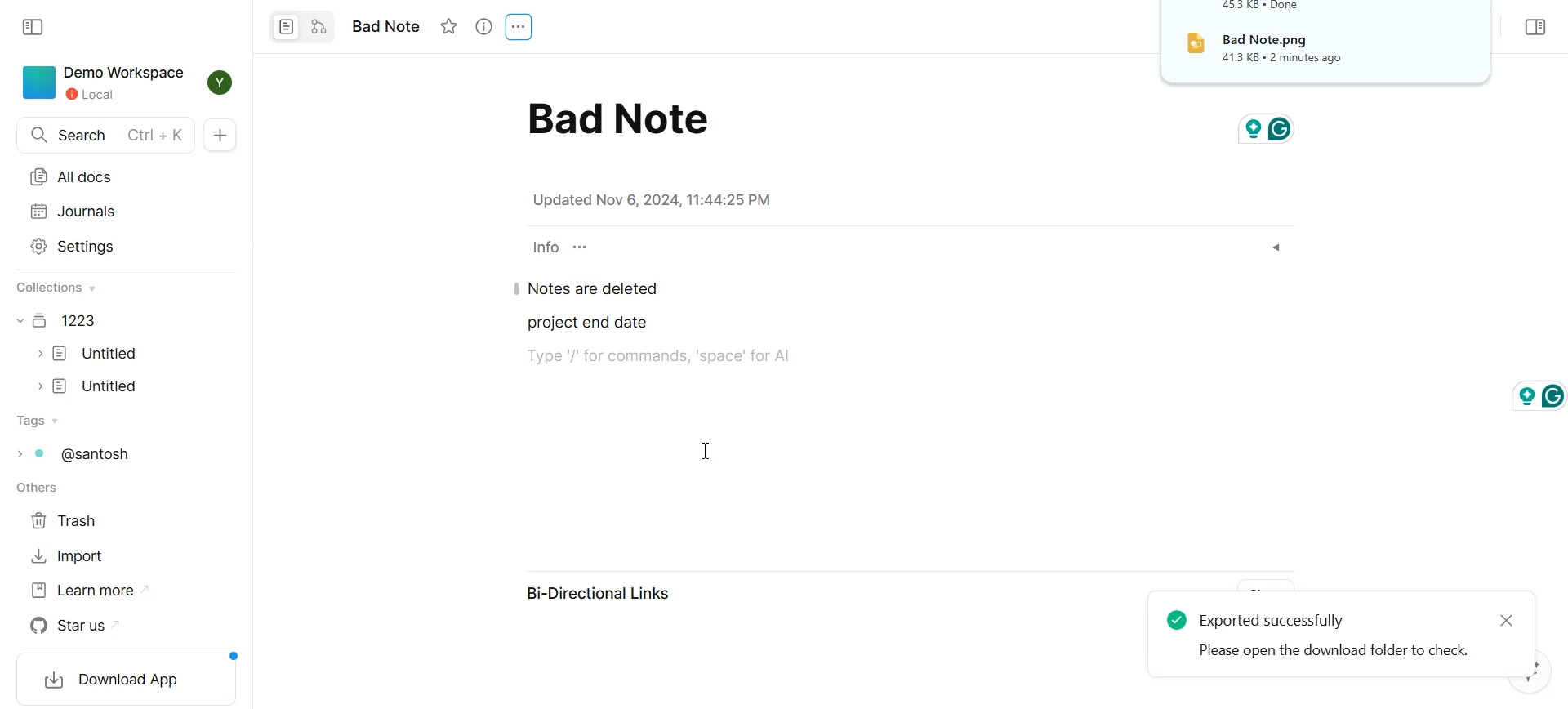 This screenshot has height=709, width=1568. Describe the element at coordinates (616, 117) in the screenshot. I see `bad note` at that location.